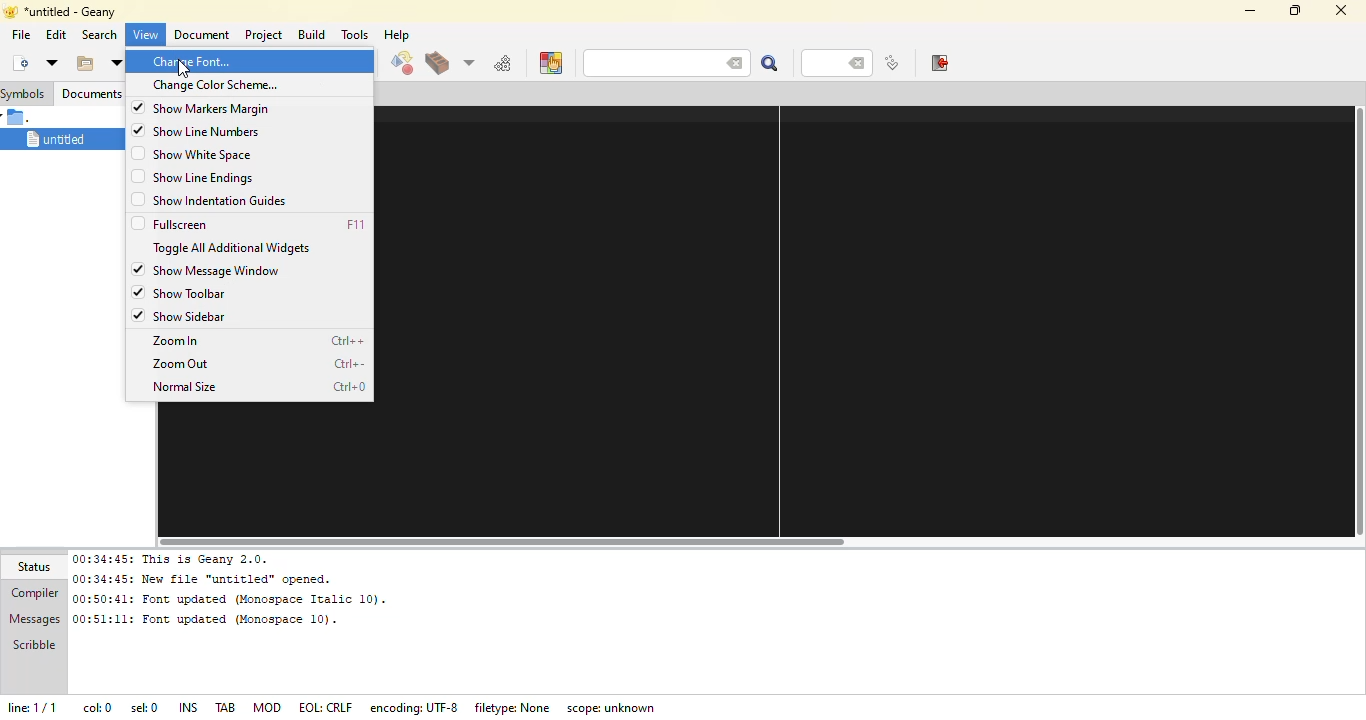  I want to click on exit, so click(938, 63).